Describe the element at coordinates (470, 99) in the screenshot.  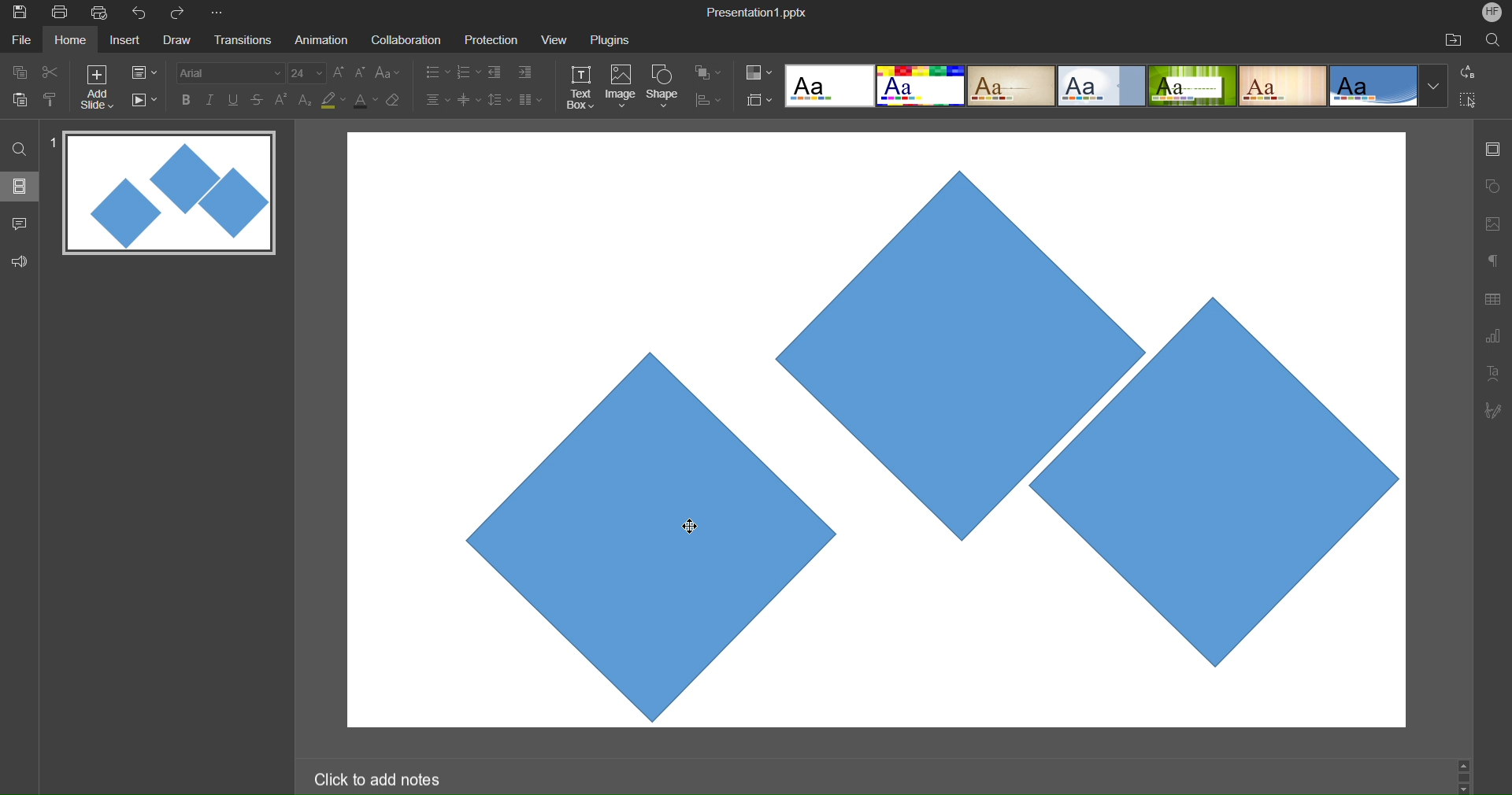
I see `Vertical Align` at that location.